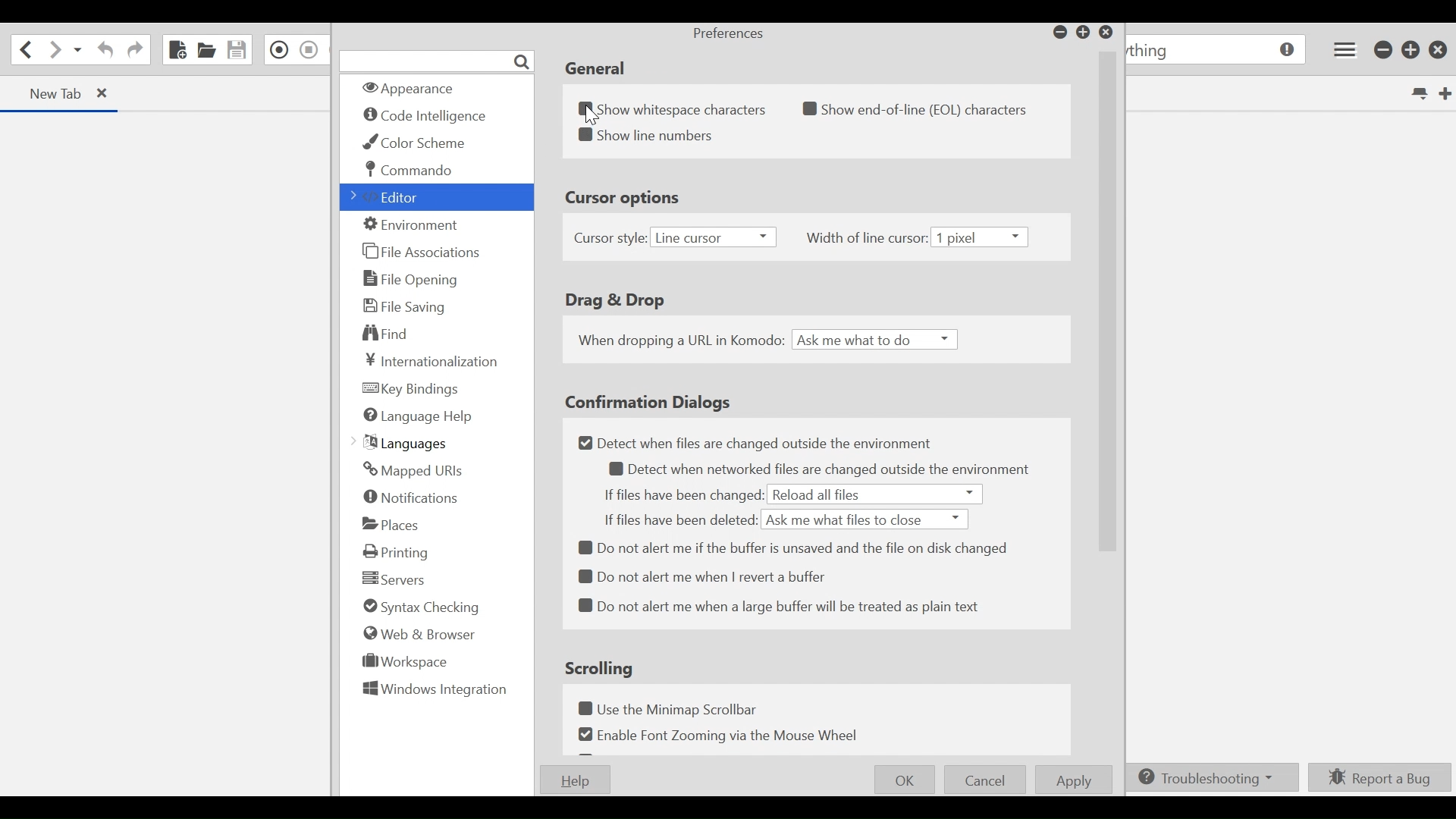 This screenshot has height=819, width=1456. Describe the element at coordinates (178, 50) in the screenshot. I see `New File` at that location.